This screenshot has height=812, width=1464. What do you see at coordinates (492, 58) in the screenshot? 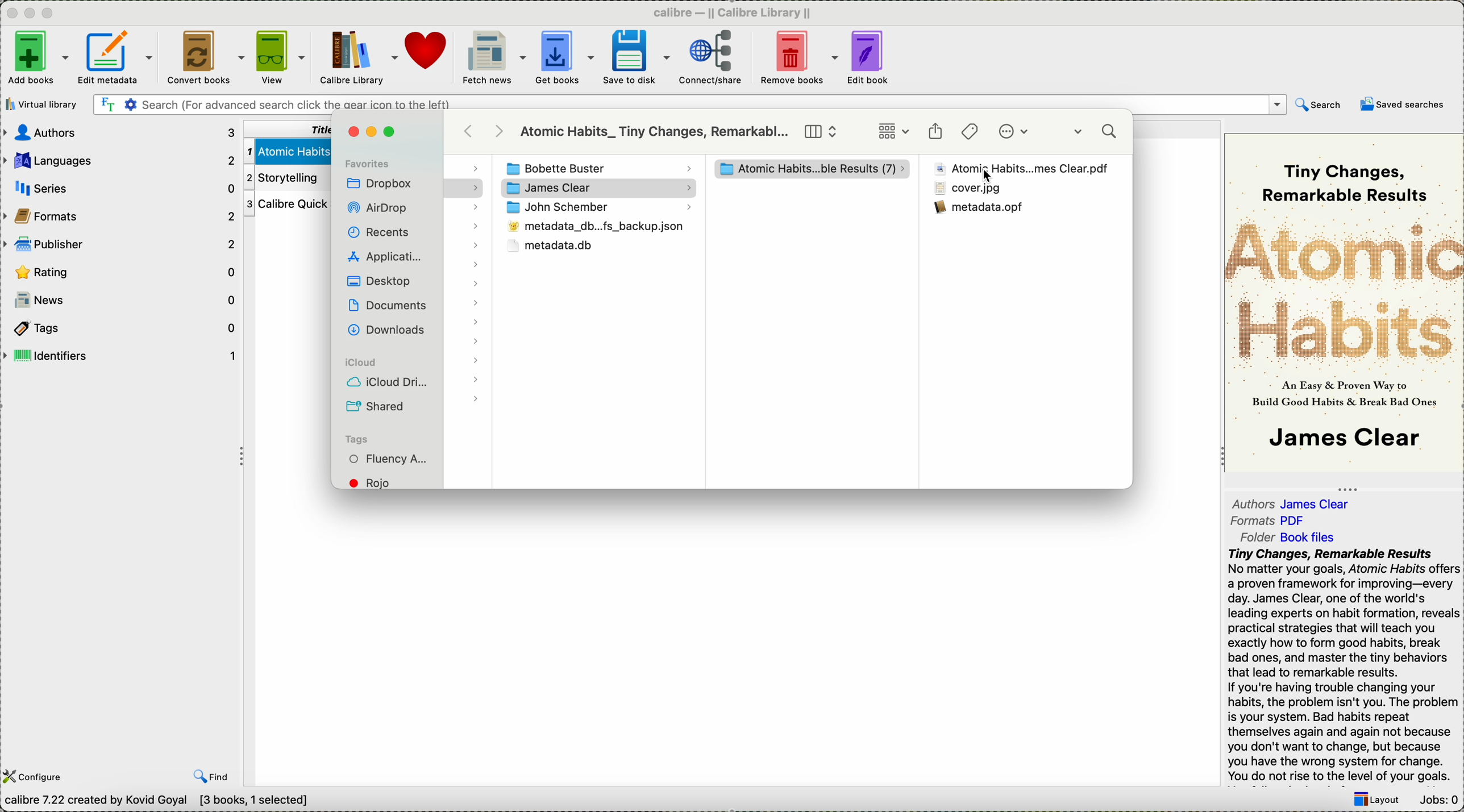
I see `fetch news` at bounding box center [492, 58].